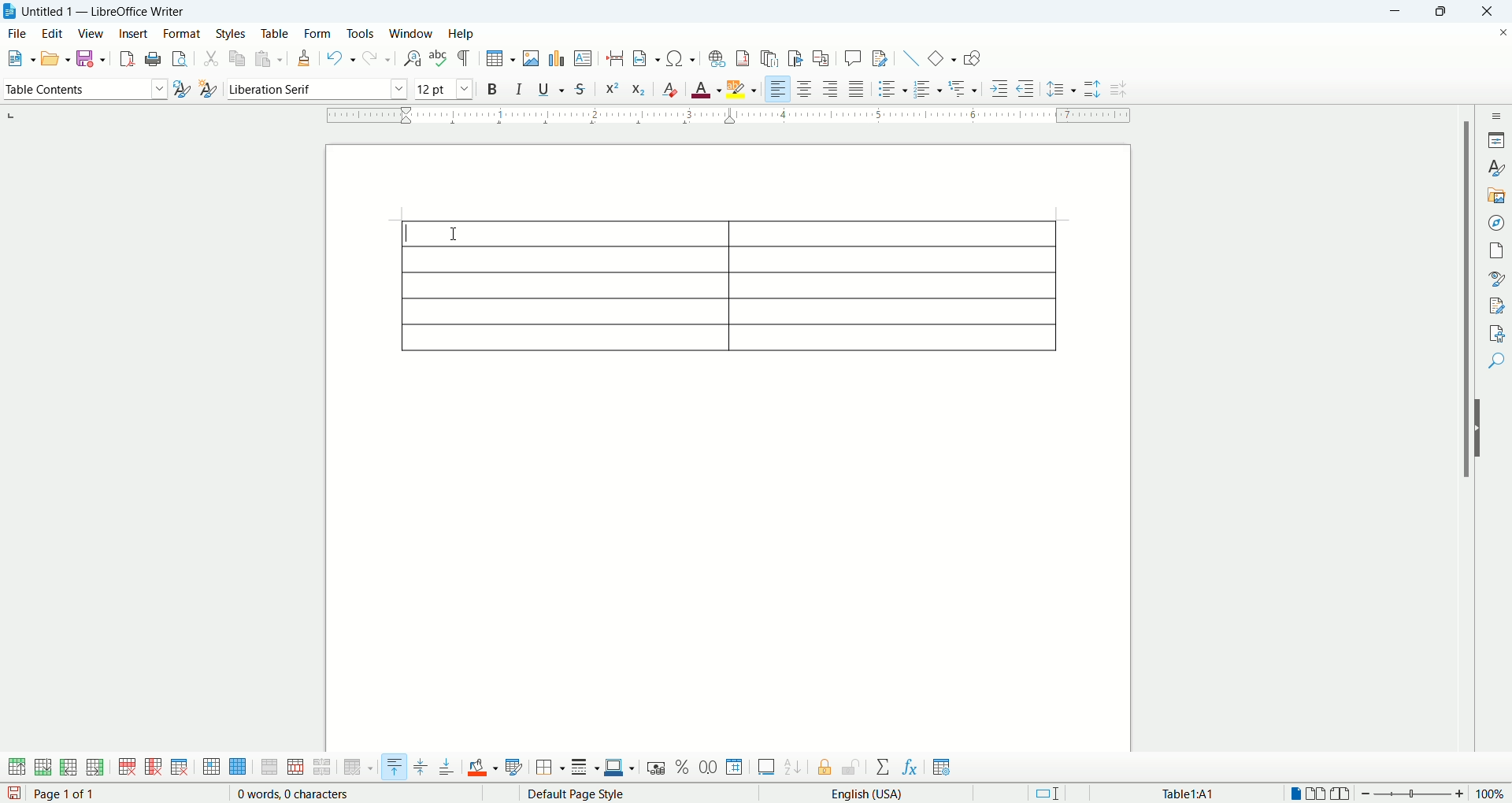 The height and width of the screenshot is (803, 1512). I want to click on borders, so click(550, 768).